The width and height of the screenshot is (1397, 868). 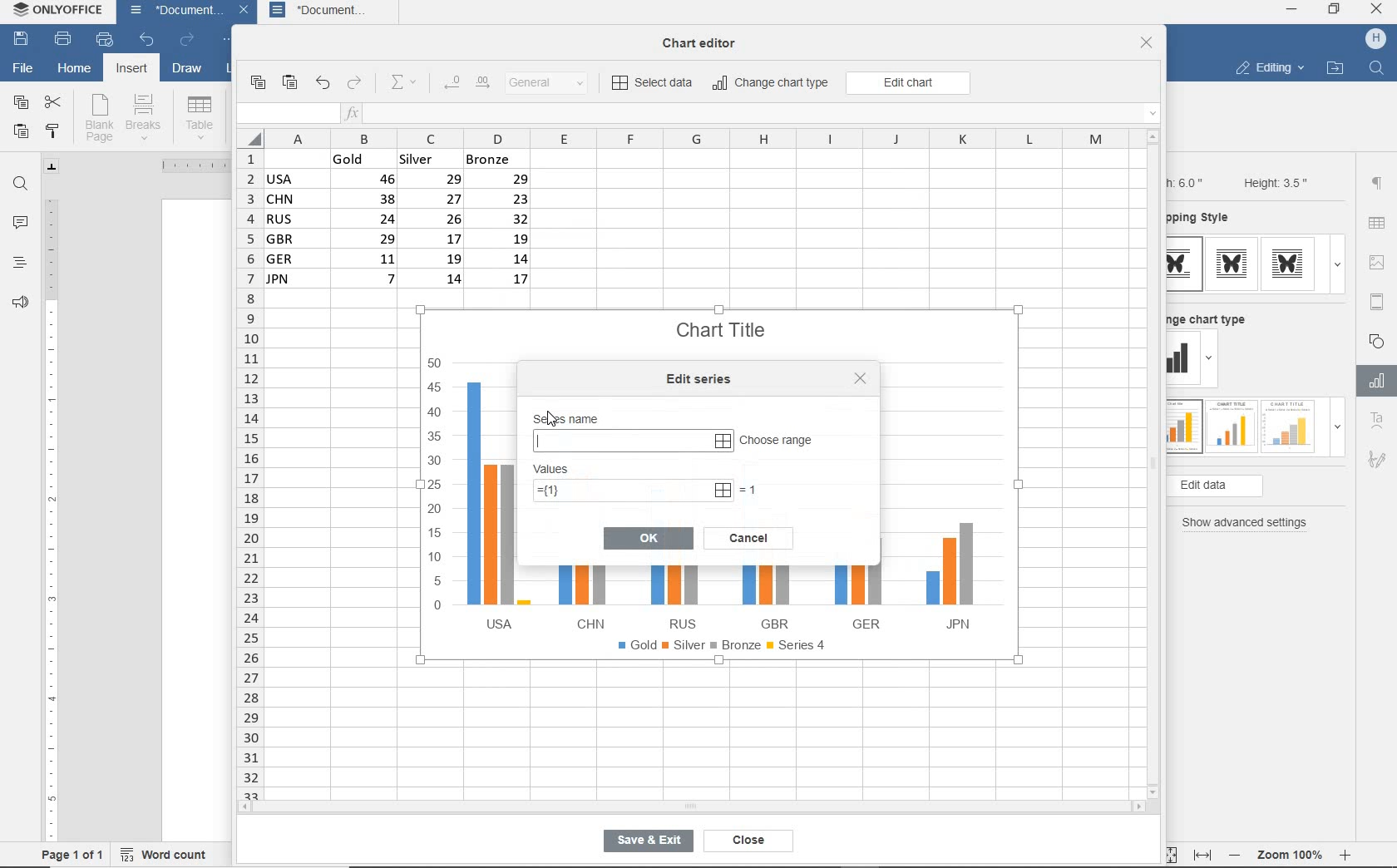 What do you see at coordinates (146, 117) in the screenshot?
I see `breaks` at bounding box center [146, 117].